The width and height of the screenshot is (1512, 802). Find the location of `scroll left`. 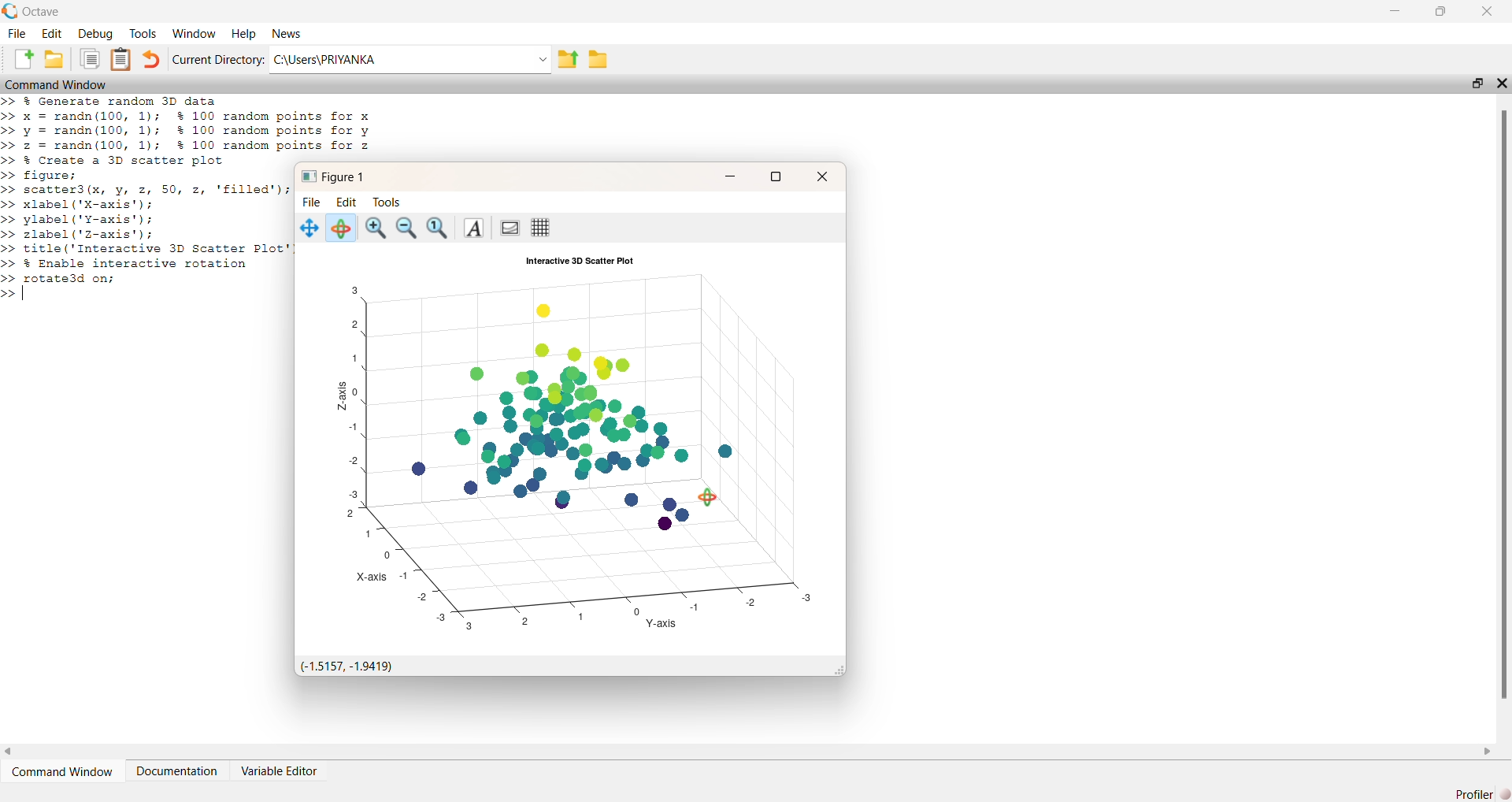

scroll left is located at coordinates (9, 752).